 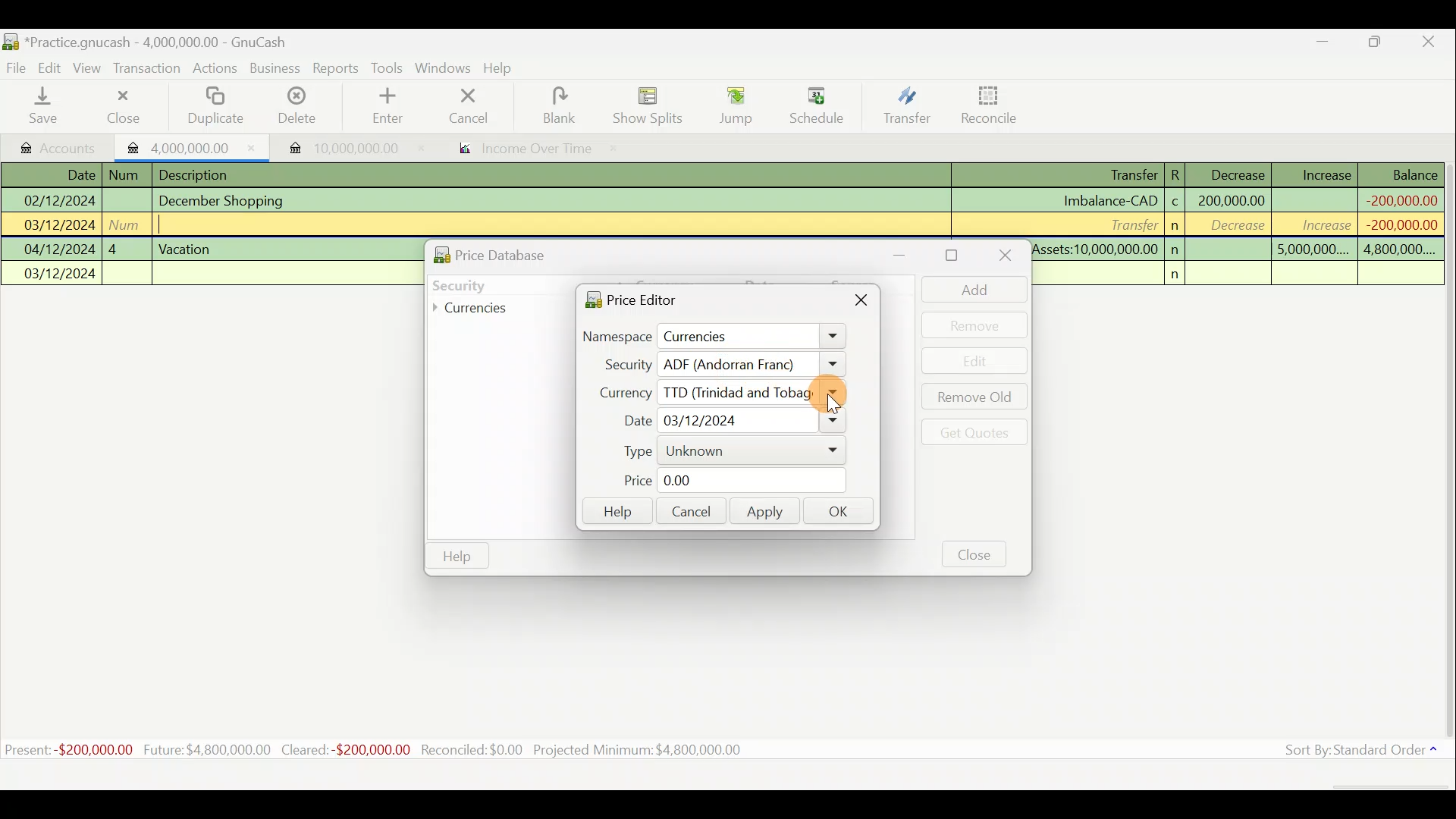 I want to click on 4,800,000, so click(x=1398, y=250).